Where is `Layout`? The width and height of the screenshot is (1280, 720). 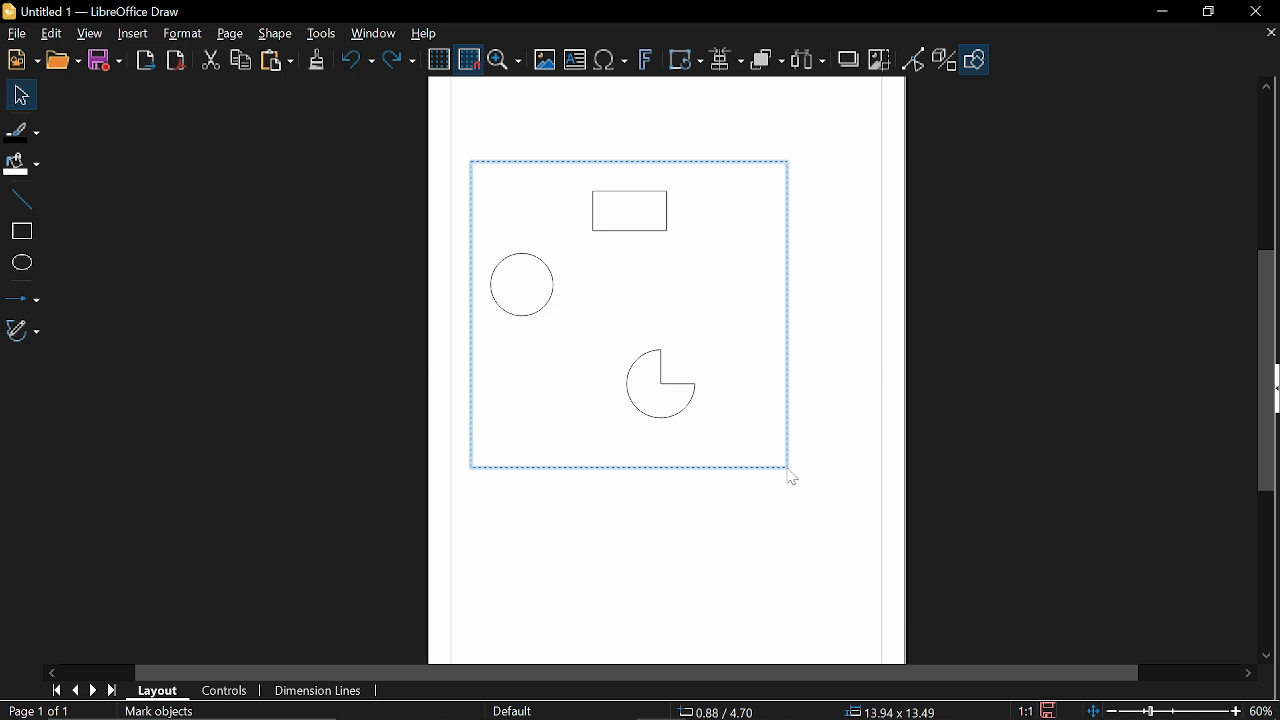
Layout is located at coordinates (156, 691).